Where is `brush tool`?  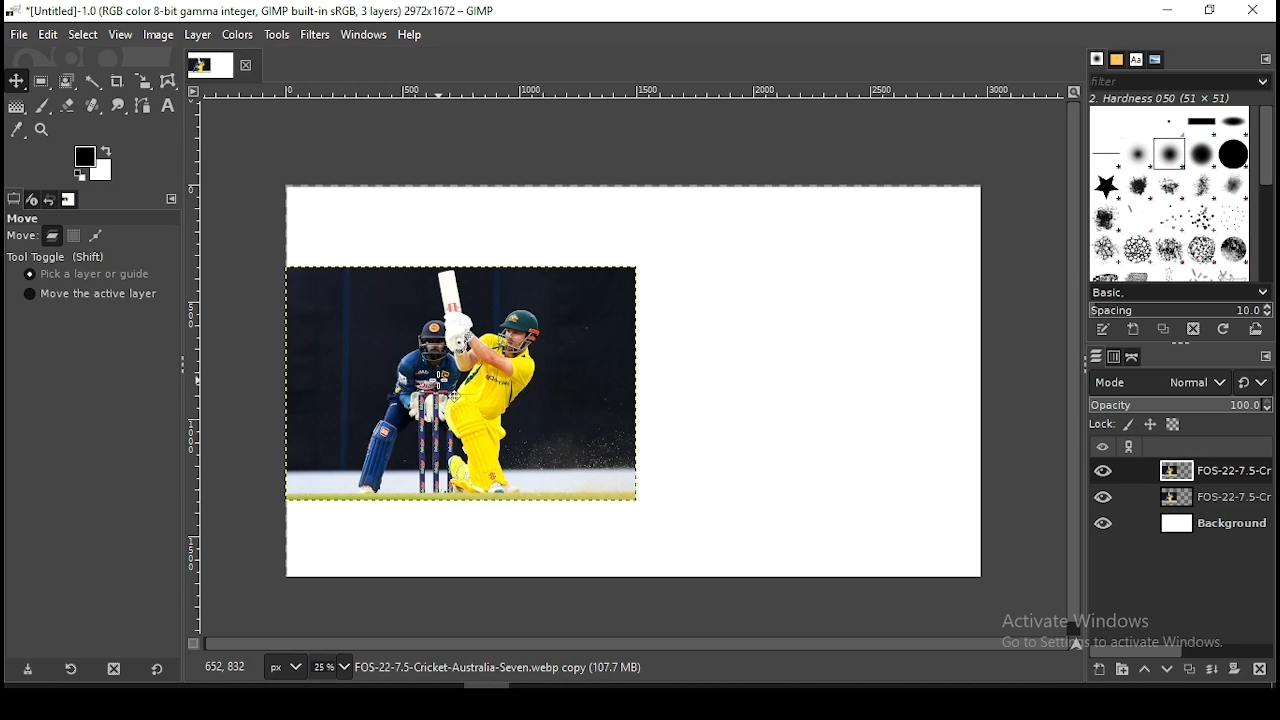 brush tool is located at coordinates (43, 106).